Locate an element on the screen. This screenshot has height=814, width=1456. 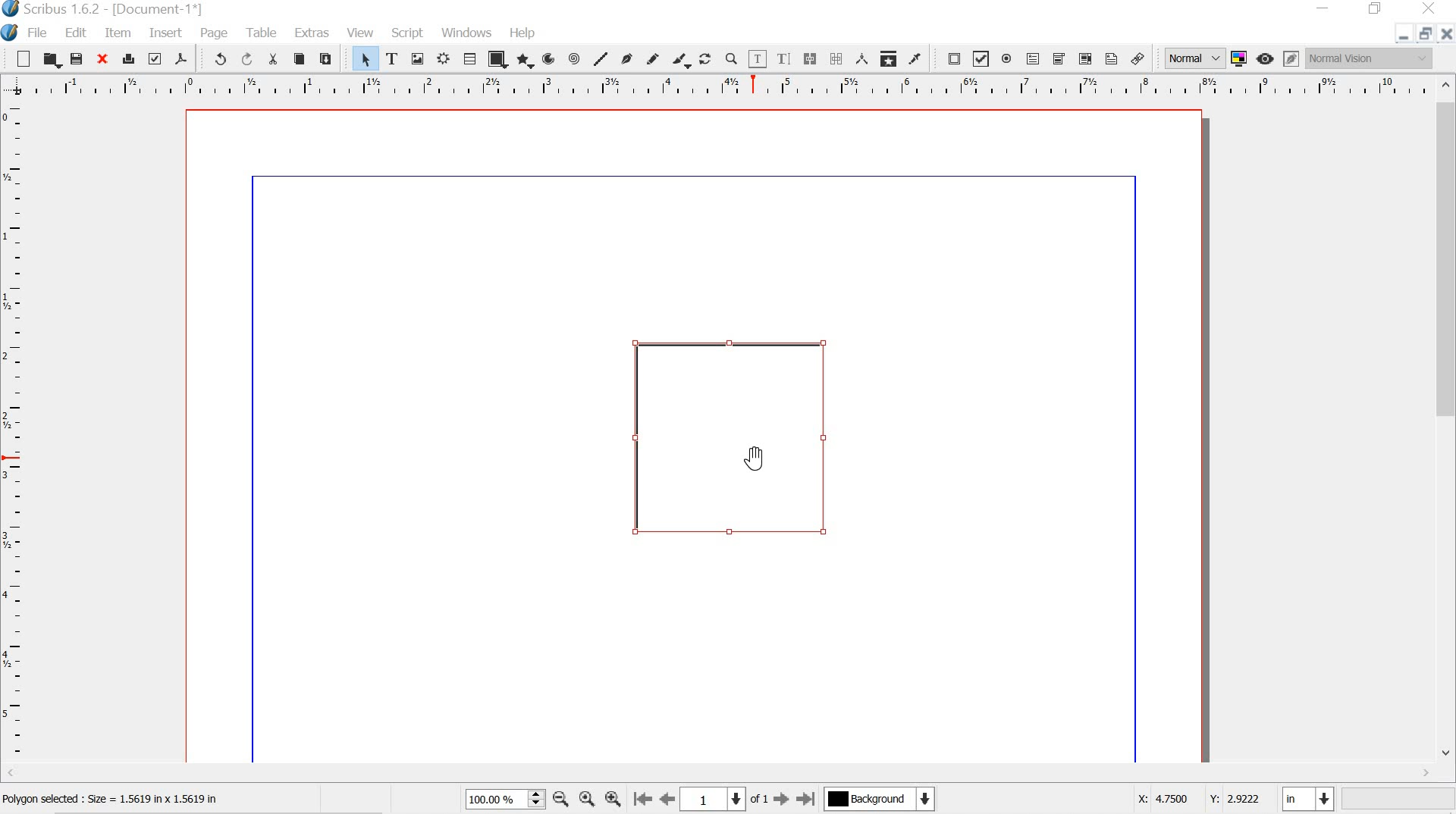
spiral is located at coordinates (575, 58).